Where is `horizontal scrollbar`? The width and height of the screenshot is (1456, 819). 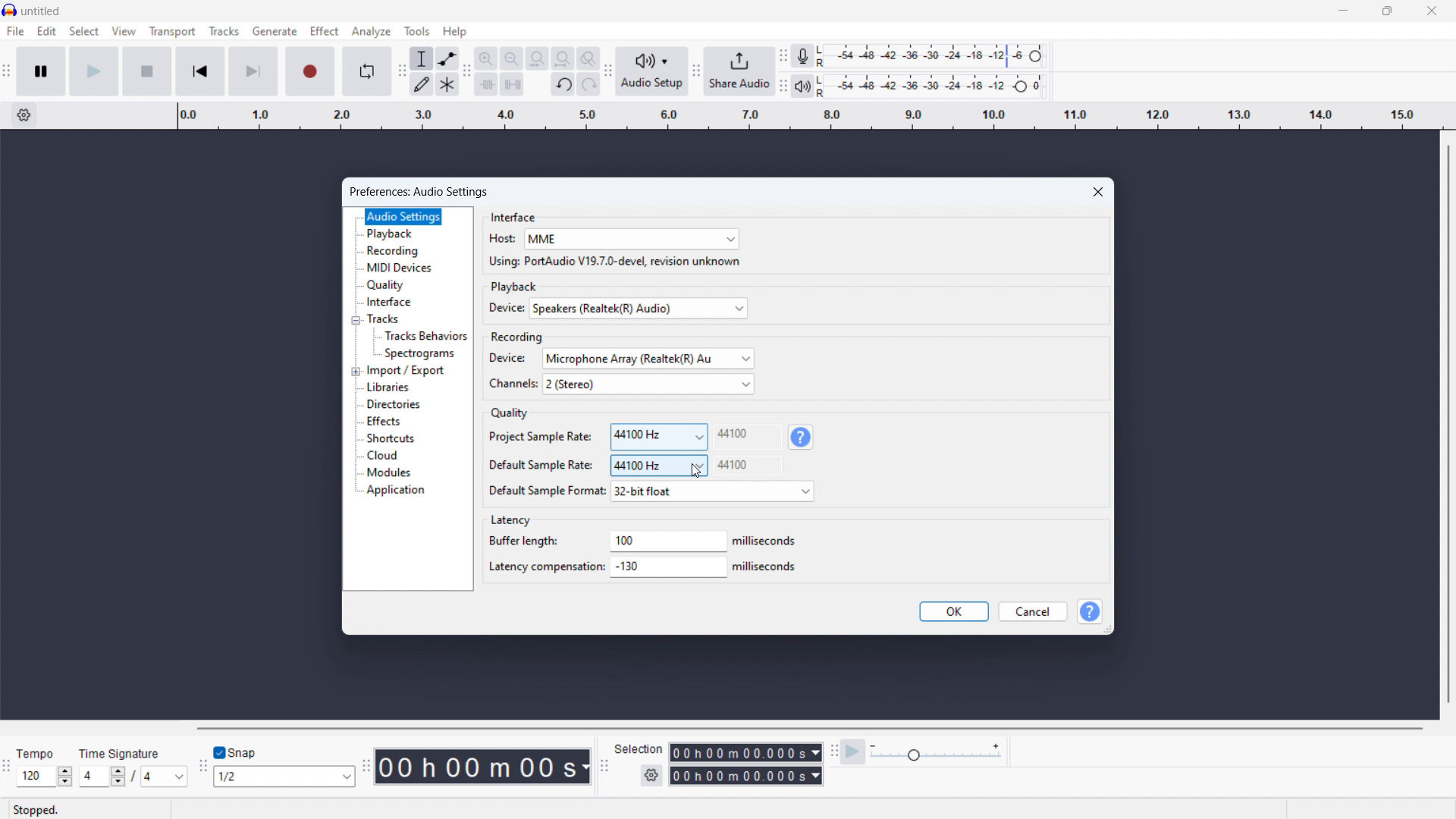
horizontal scrollbar is located at coordinates (811, 729).